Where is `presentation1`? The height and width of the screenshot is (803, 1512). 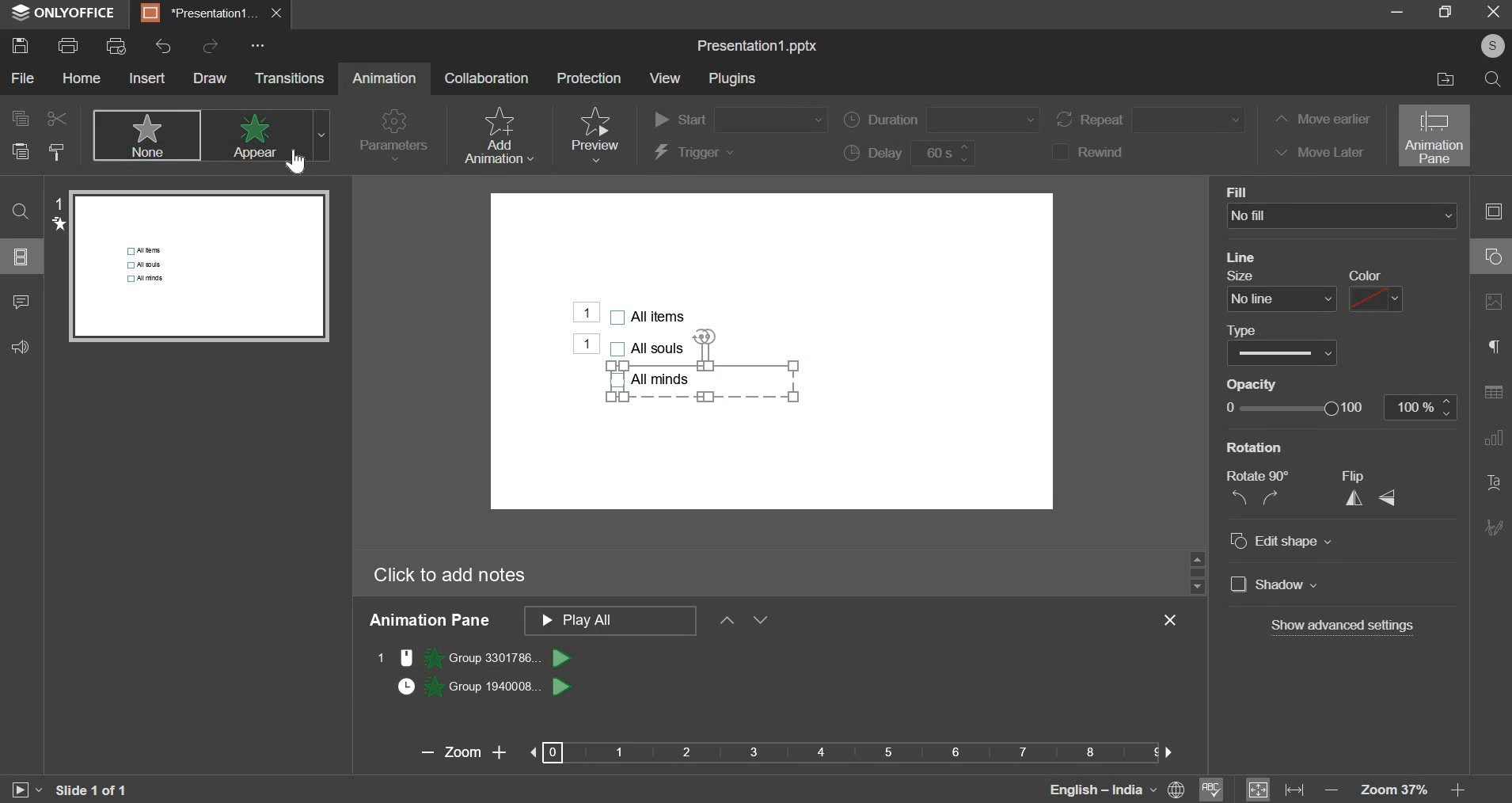
presentation1 is located at coordinates (195, 13).